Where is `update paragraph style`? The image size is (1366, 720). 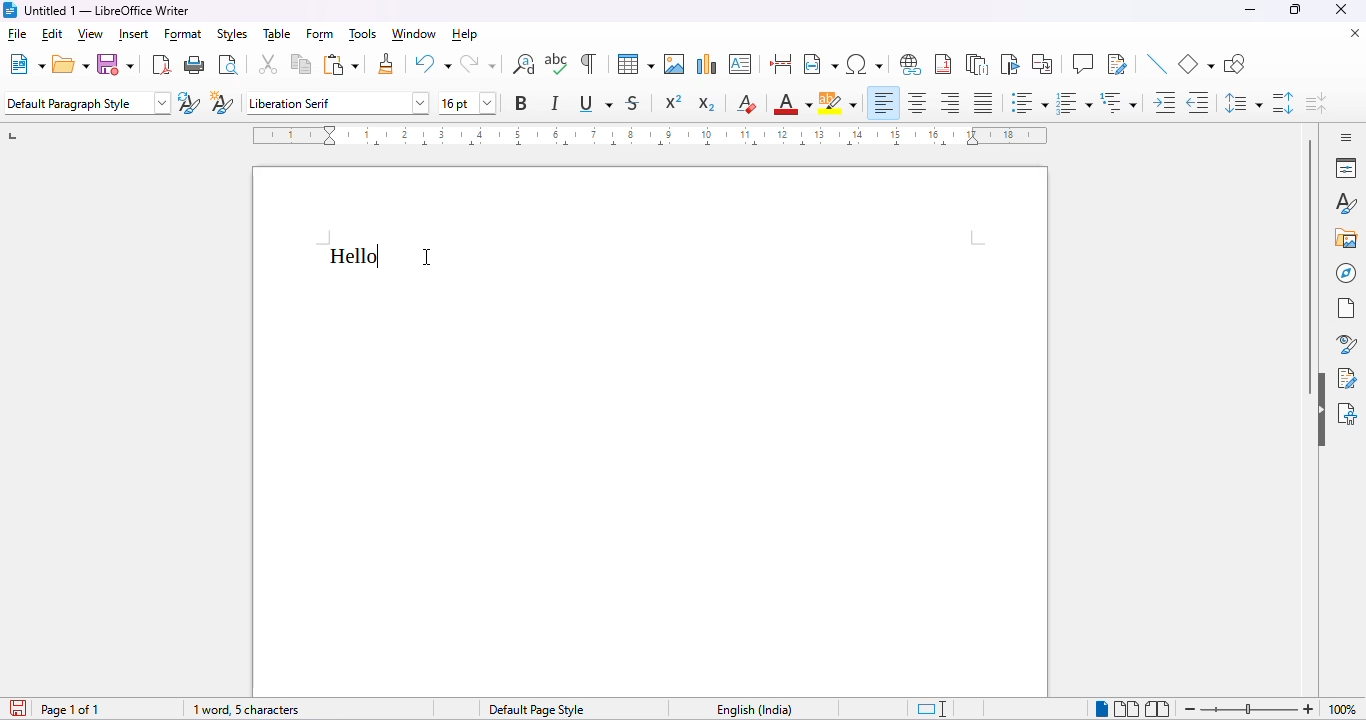 update paragraph style is located at coordinates (189, 102).